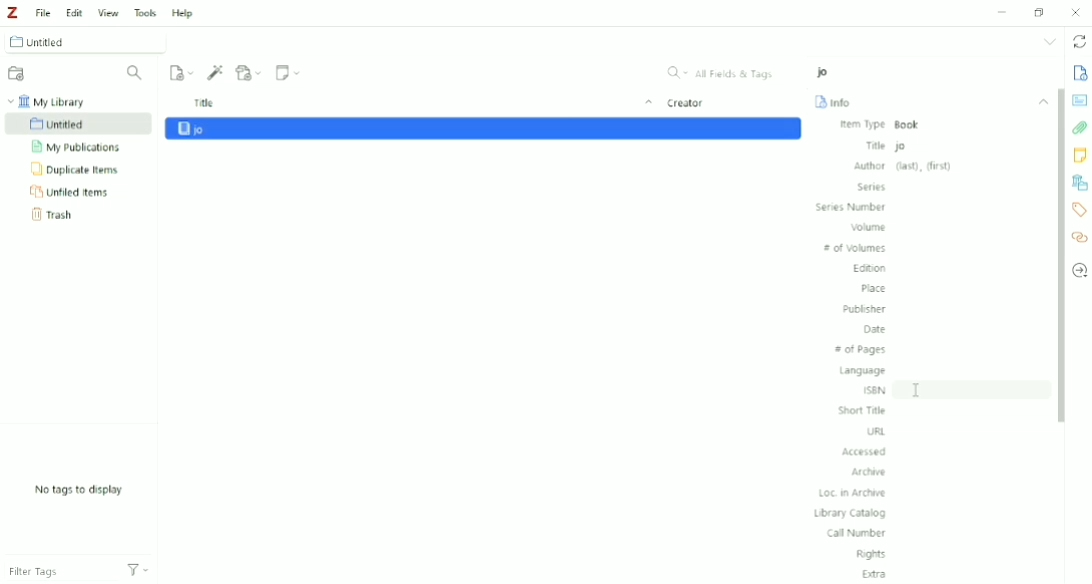 The width and height of the screenshot is (1092, 584). I want to click on Author, so click(904, 166).